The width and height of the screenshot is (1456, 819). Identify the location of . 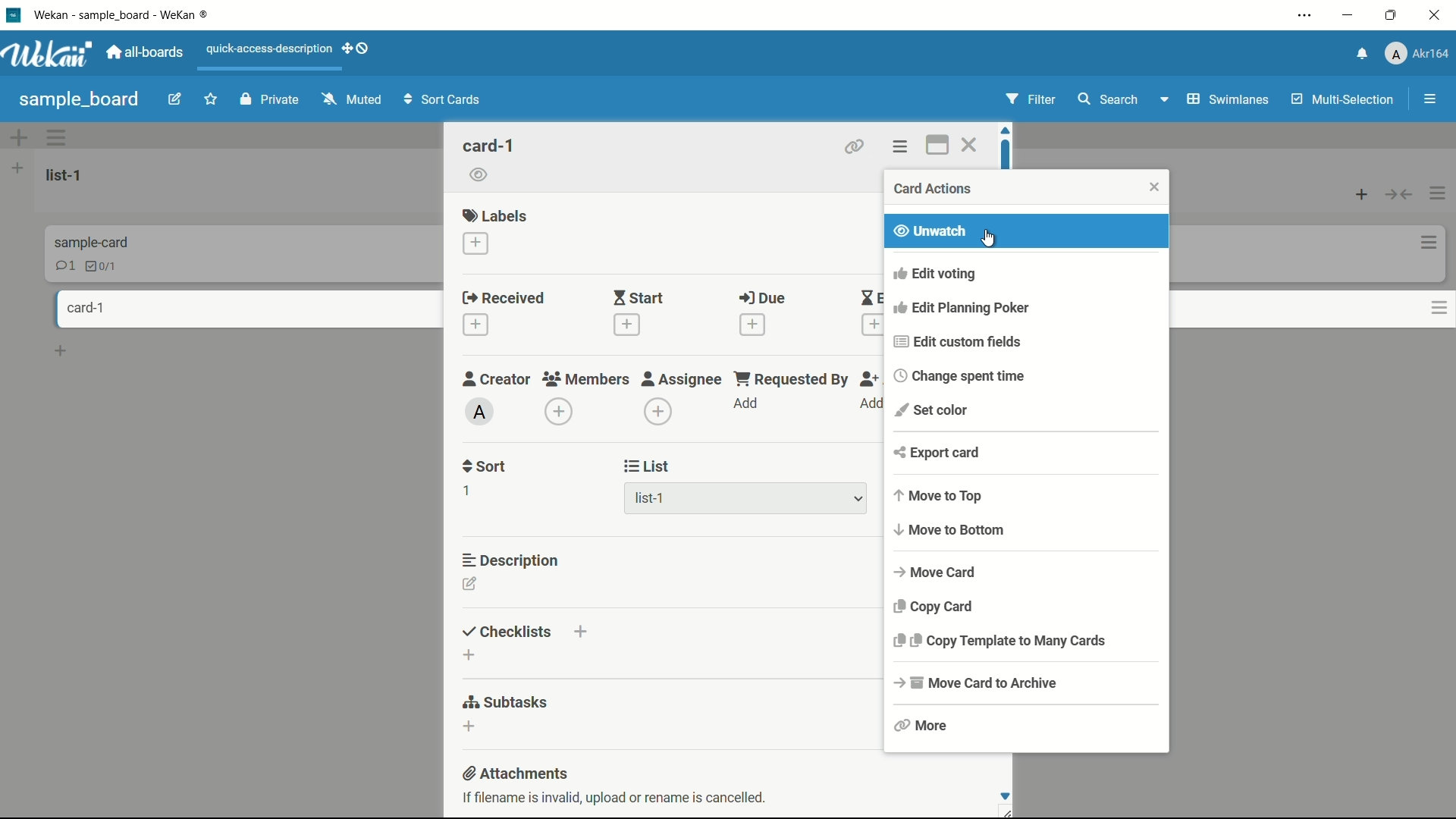
(95, 241).